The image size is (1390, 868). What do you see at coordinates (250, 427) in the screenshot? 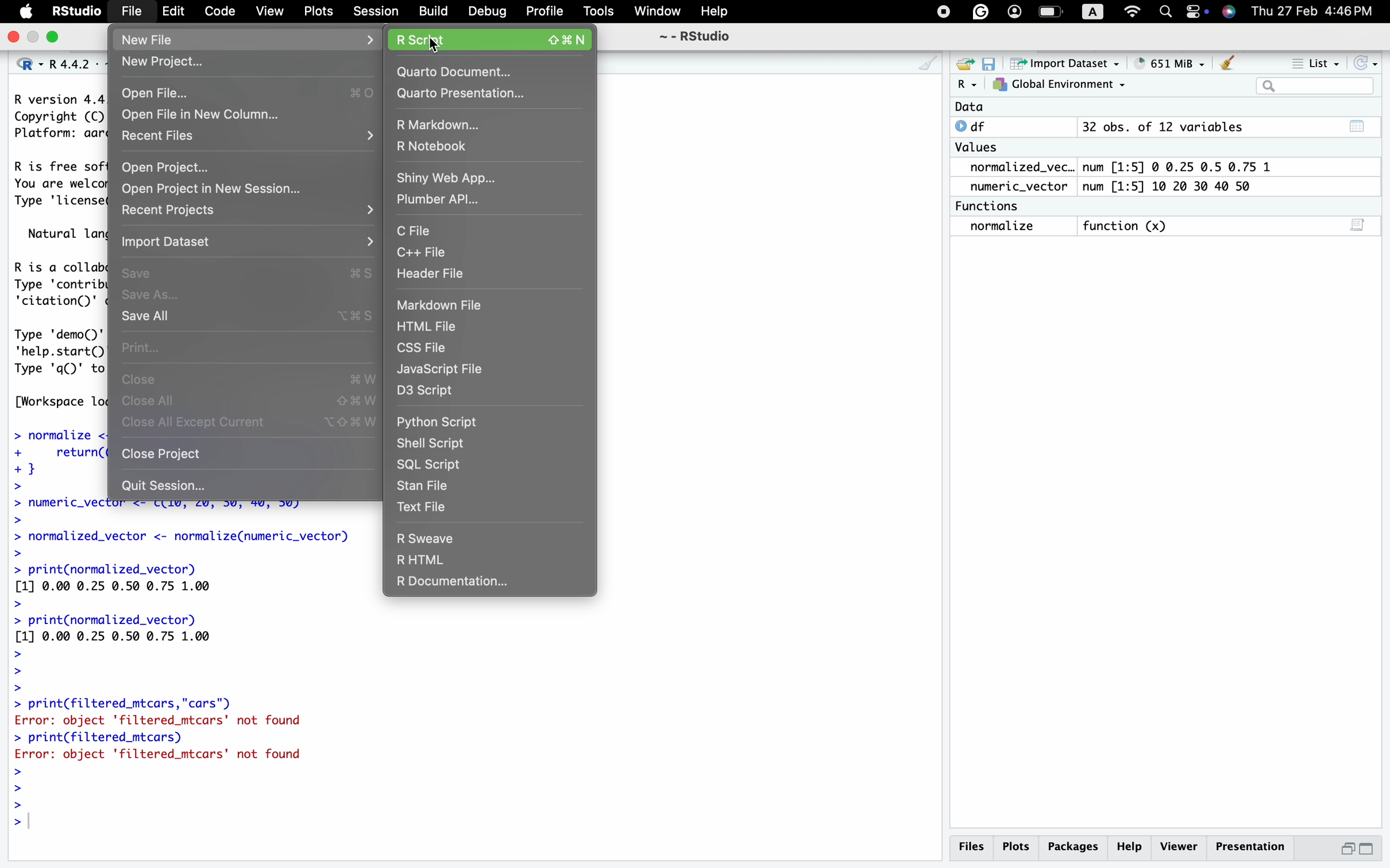
I see `Close all except current` at bounding box center [250, 427].